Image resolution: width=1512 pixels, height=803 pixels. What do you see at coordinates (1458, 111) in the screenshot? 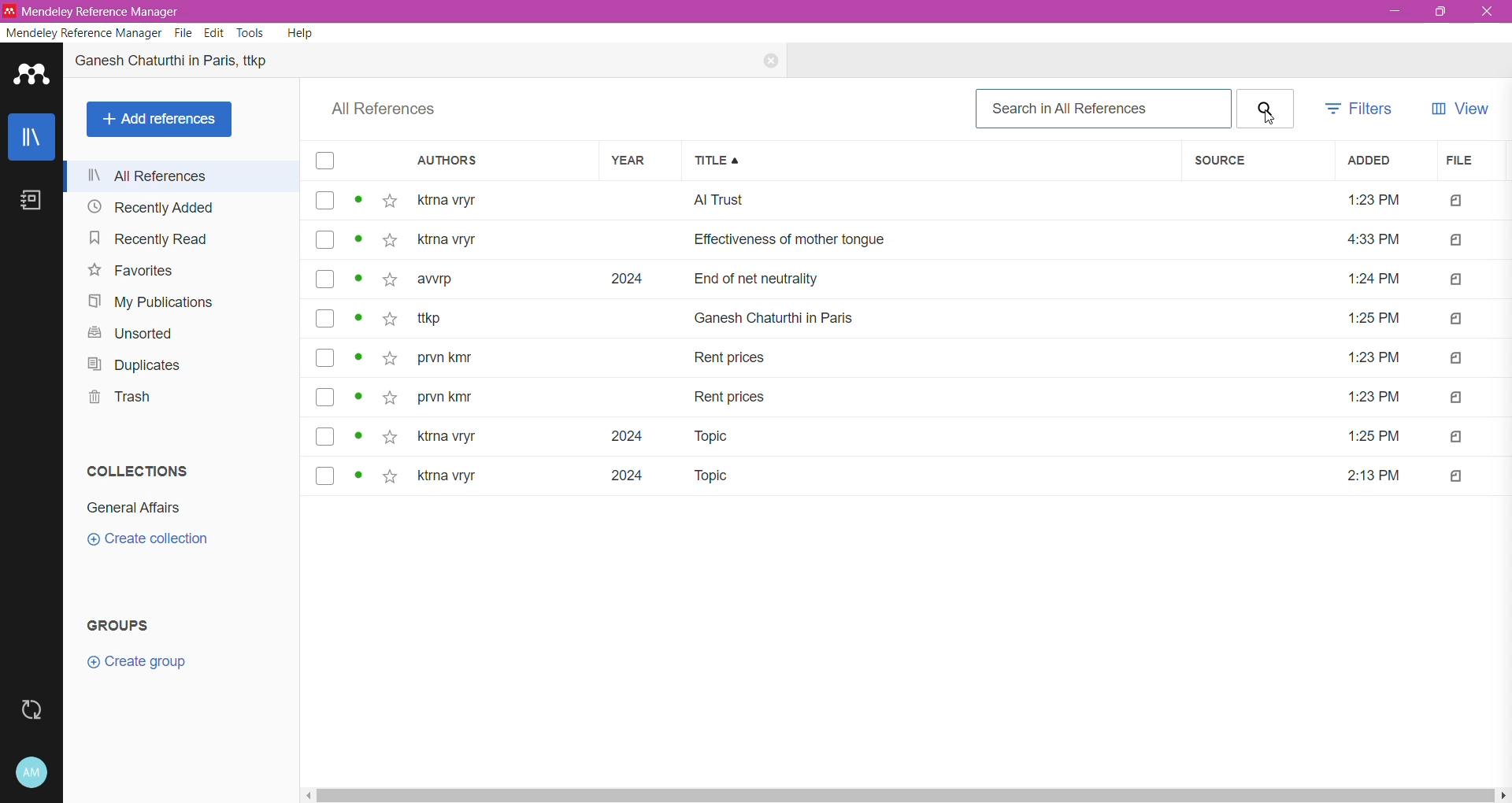
I see `View` at bounding box center [1458, 111].